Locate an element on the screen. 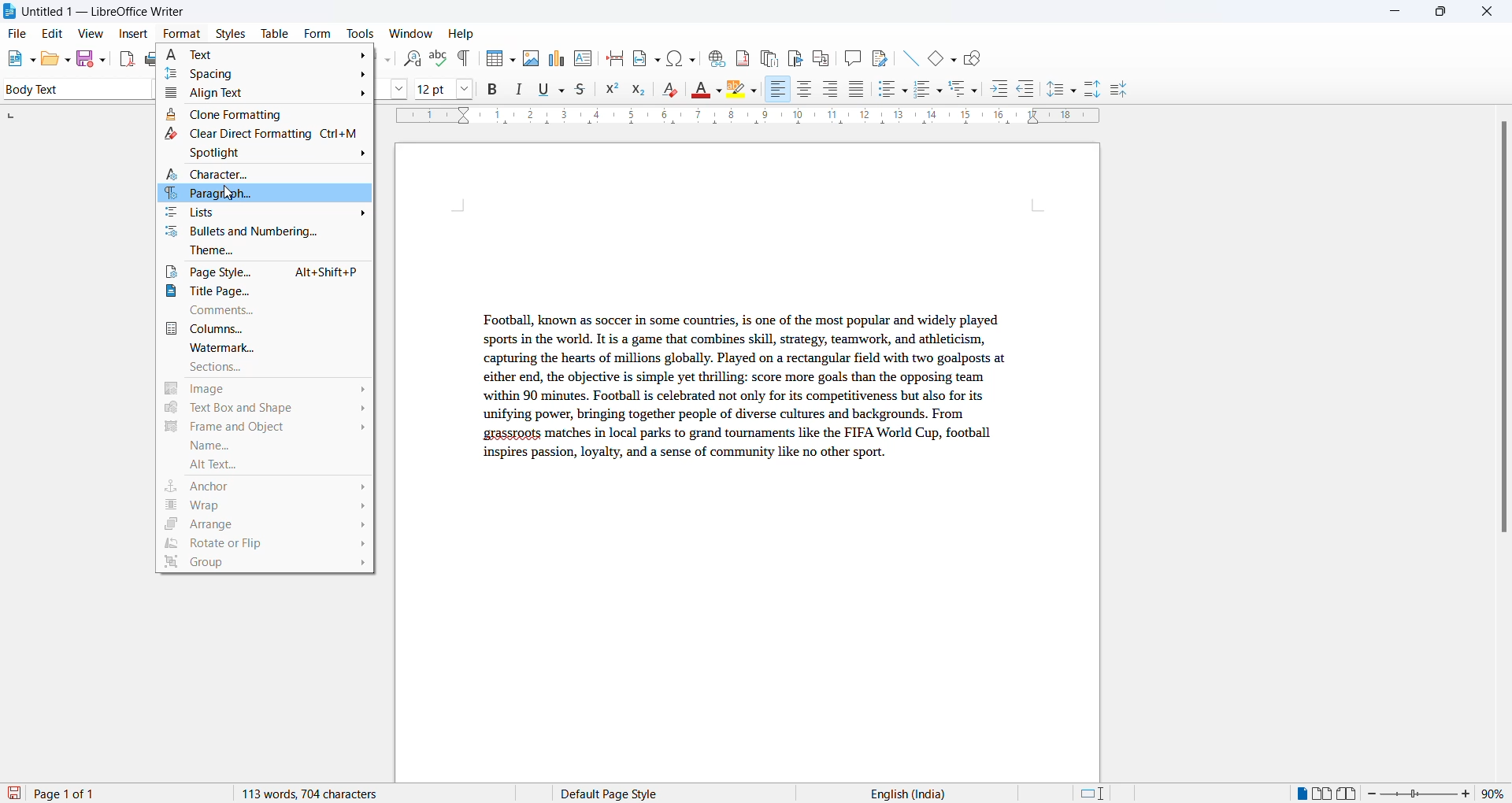  insert is located at coordinates (132, 35).